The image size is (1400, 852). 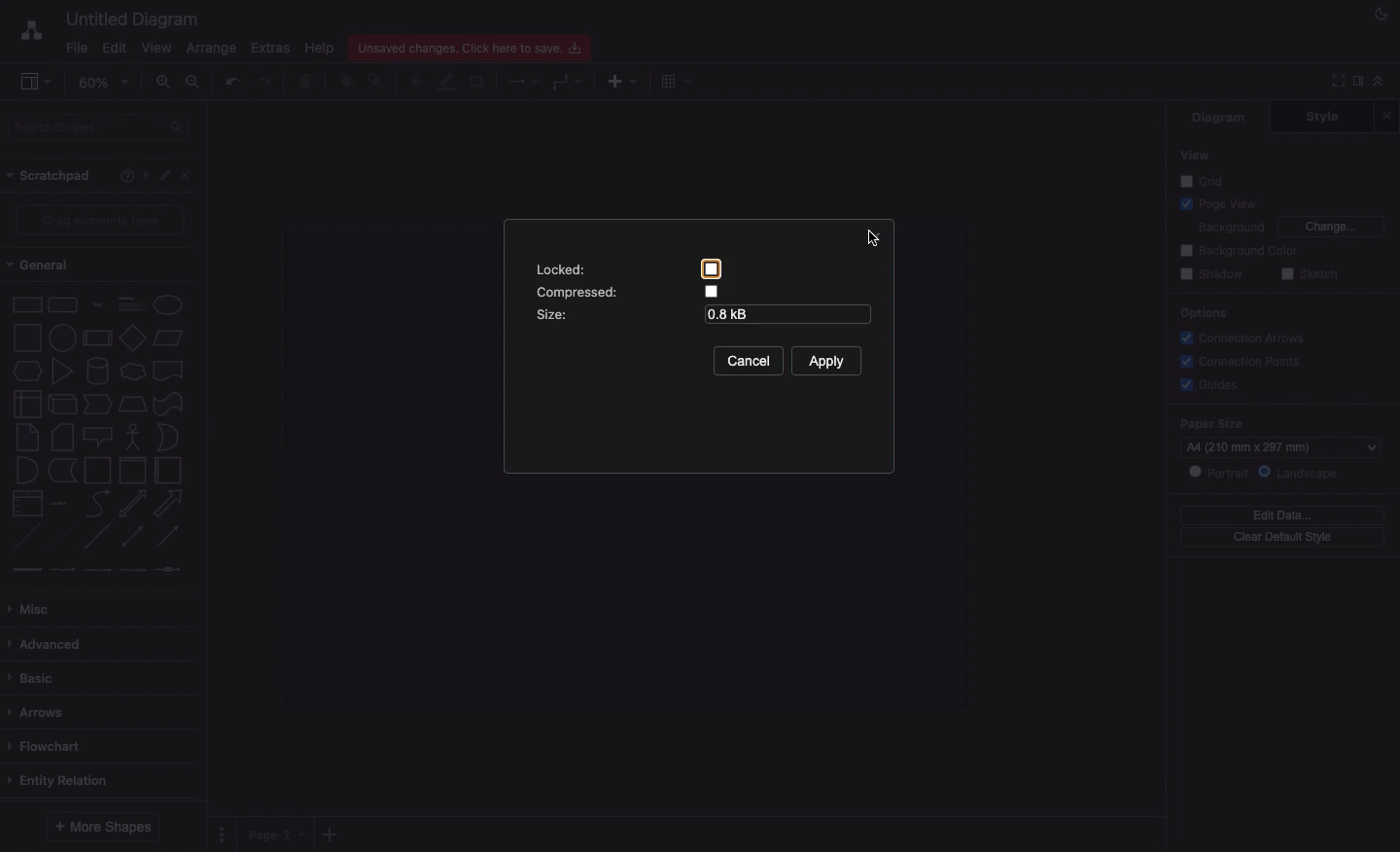 What do you see at coordinates (306, 83) in the screenshot?
I see `Delete` at bounding box center [306, 83].